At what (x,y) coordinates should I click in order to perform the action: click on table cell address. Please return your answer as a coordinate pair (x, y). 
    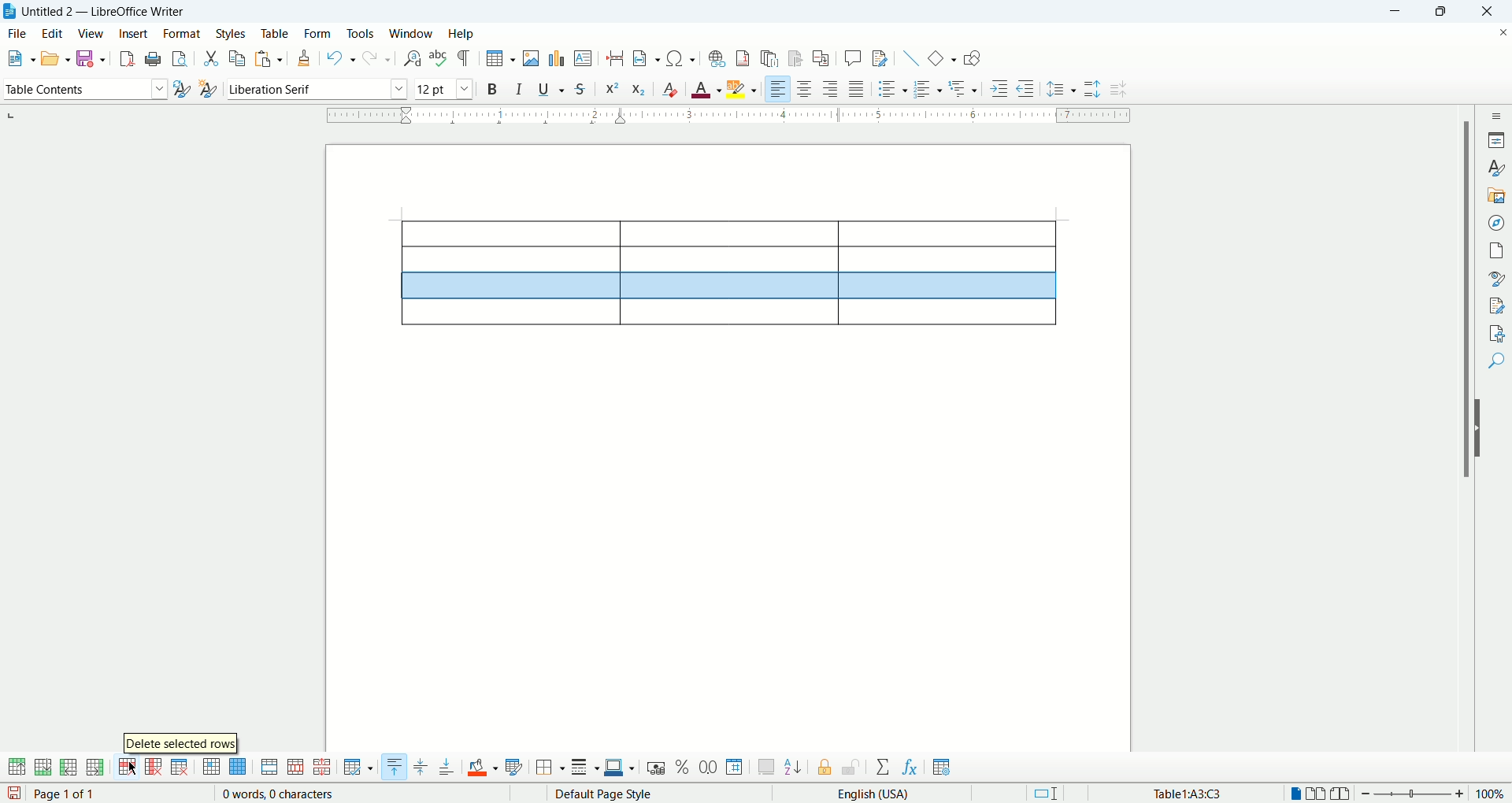
    Looking at the image, I should click on (1206, 792).